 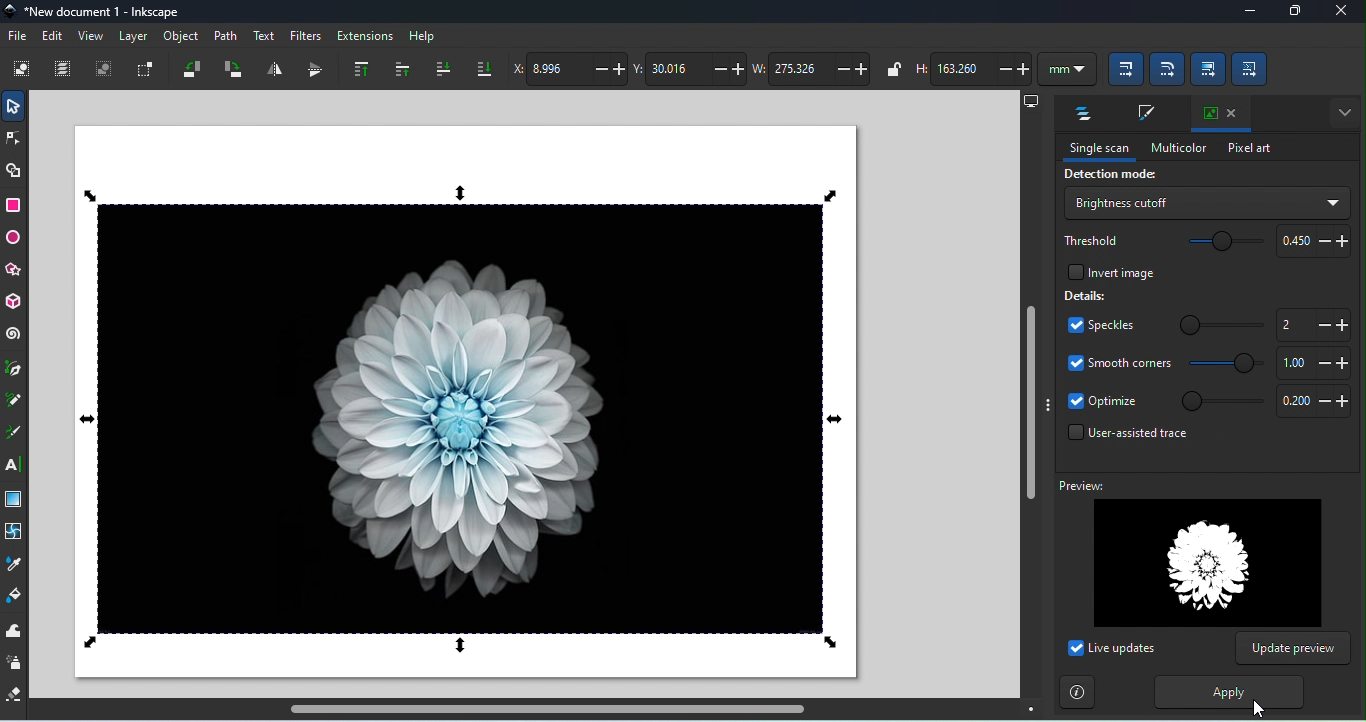 I want to click on When scaling objects, scale the stroke width by same proportion, so click(x=1122, y=71).